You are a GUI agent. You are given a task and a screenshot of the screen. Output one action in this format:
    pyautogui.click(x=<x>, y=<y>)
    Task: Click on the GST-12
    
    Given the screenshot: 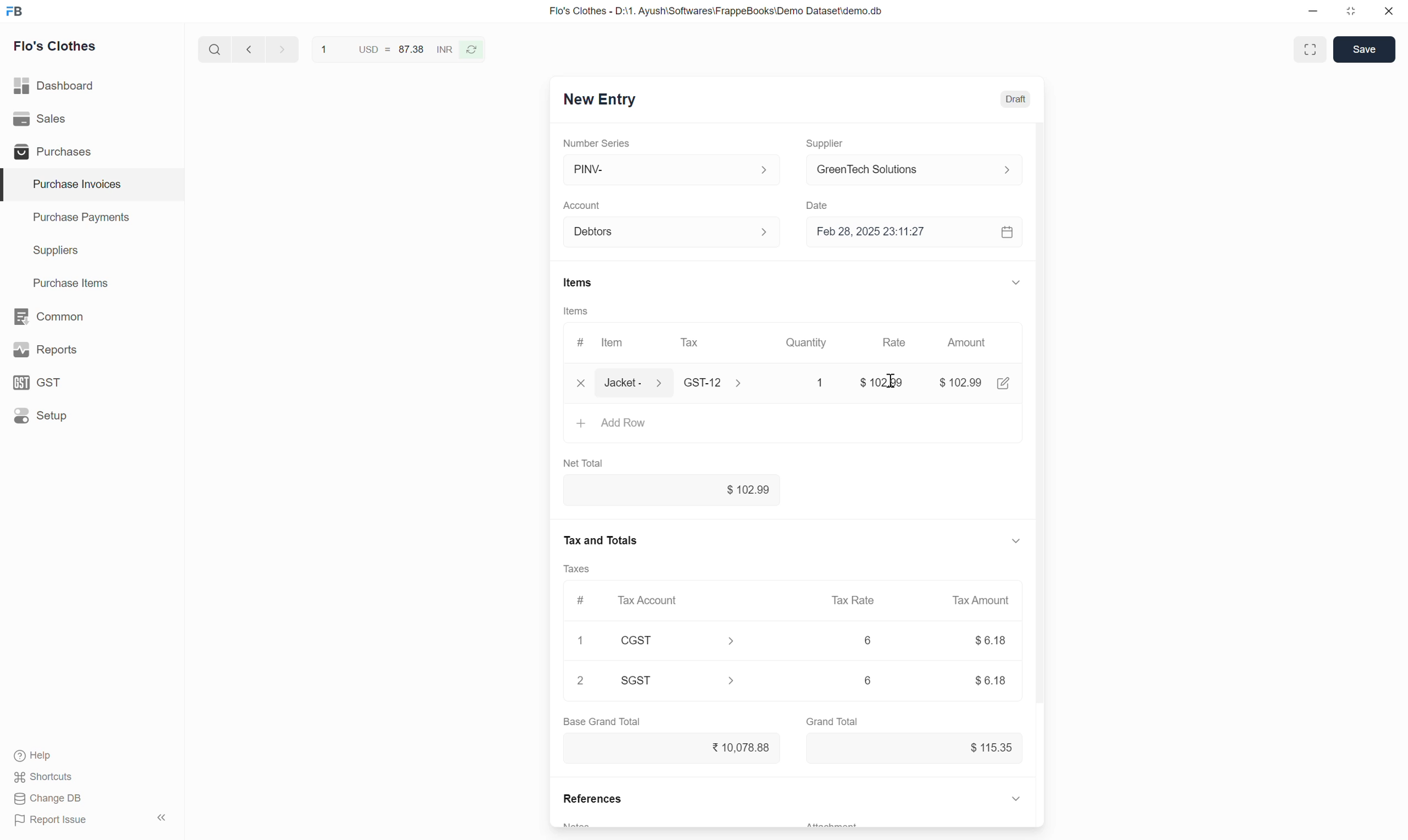 What is the action you would take?
    pyautogui.click(x=716, y=382)
    